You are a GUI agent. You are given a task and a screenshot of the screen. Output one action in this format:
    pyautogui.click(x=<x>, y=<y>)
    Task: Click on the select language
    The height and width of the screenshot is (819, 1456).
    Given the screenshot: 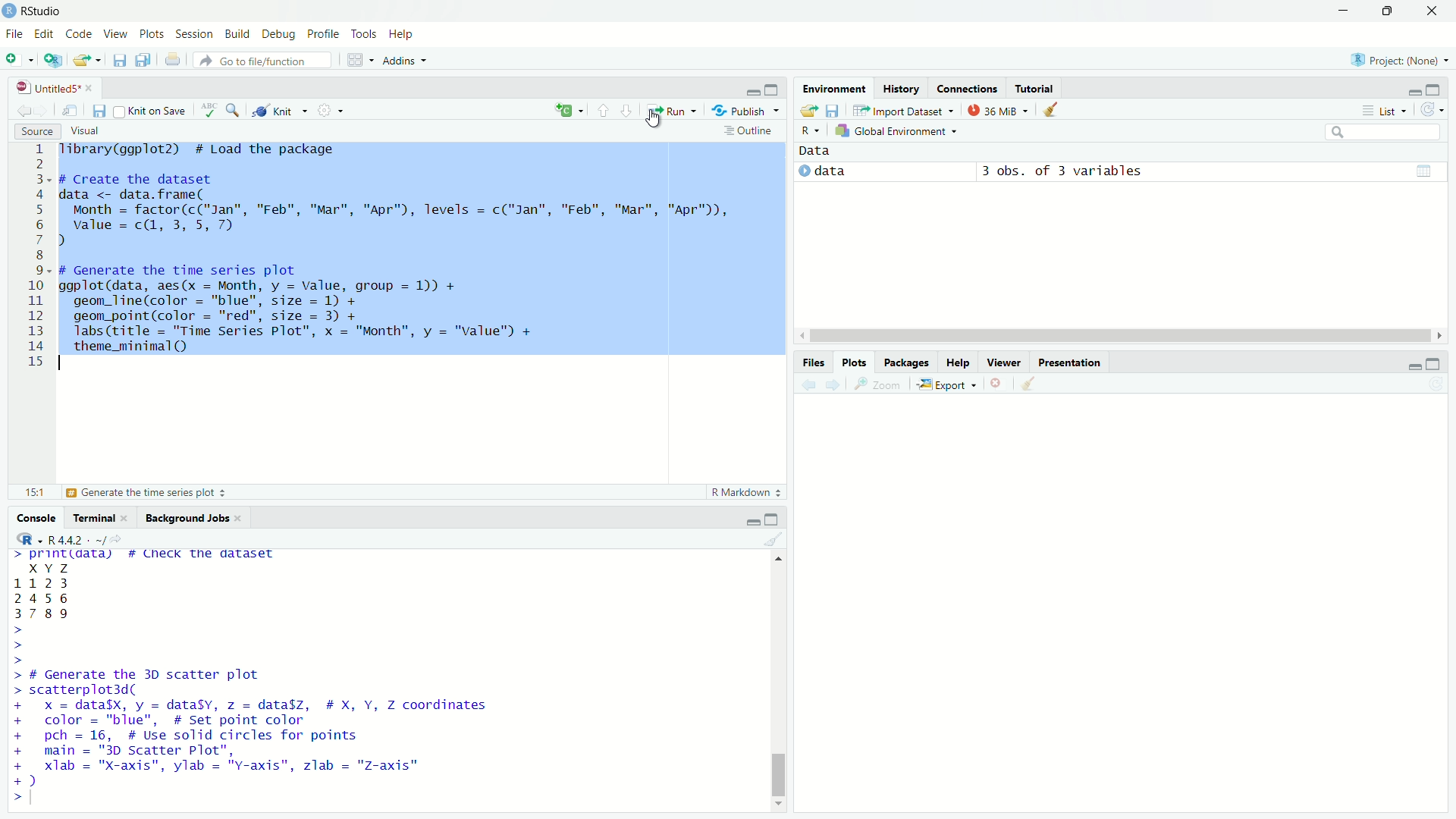 What is the action you would take?
    pyautogui.click(x=23, y=540)
    